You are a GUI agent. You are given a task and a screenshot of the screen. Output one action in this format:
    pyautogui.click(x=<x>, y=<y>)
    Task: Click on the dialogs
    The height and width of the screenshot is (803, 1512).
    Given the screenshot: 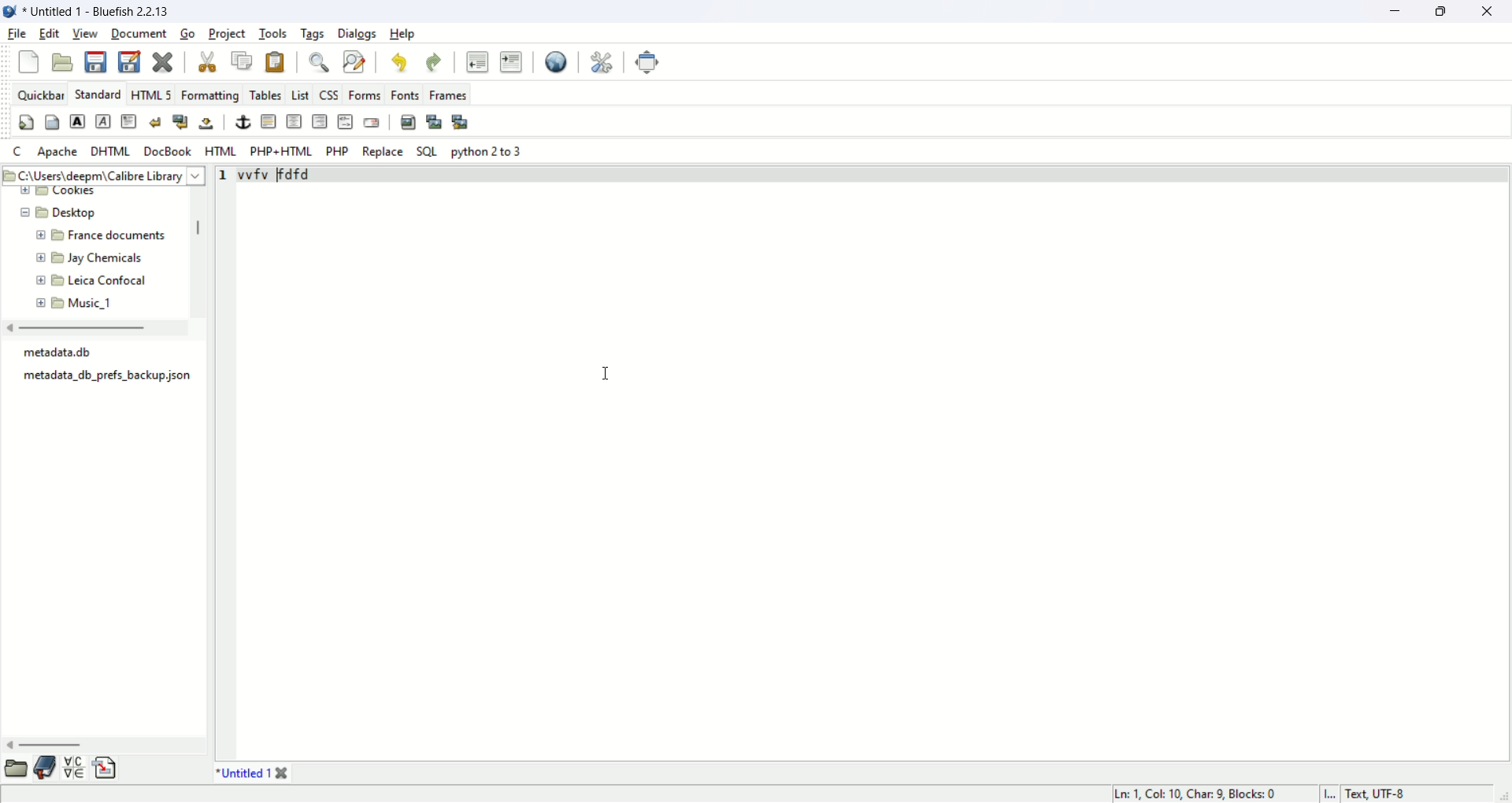 What is the action you would take?
    pyautogui.click(x=358, y=35)
    